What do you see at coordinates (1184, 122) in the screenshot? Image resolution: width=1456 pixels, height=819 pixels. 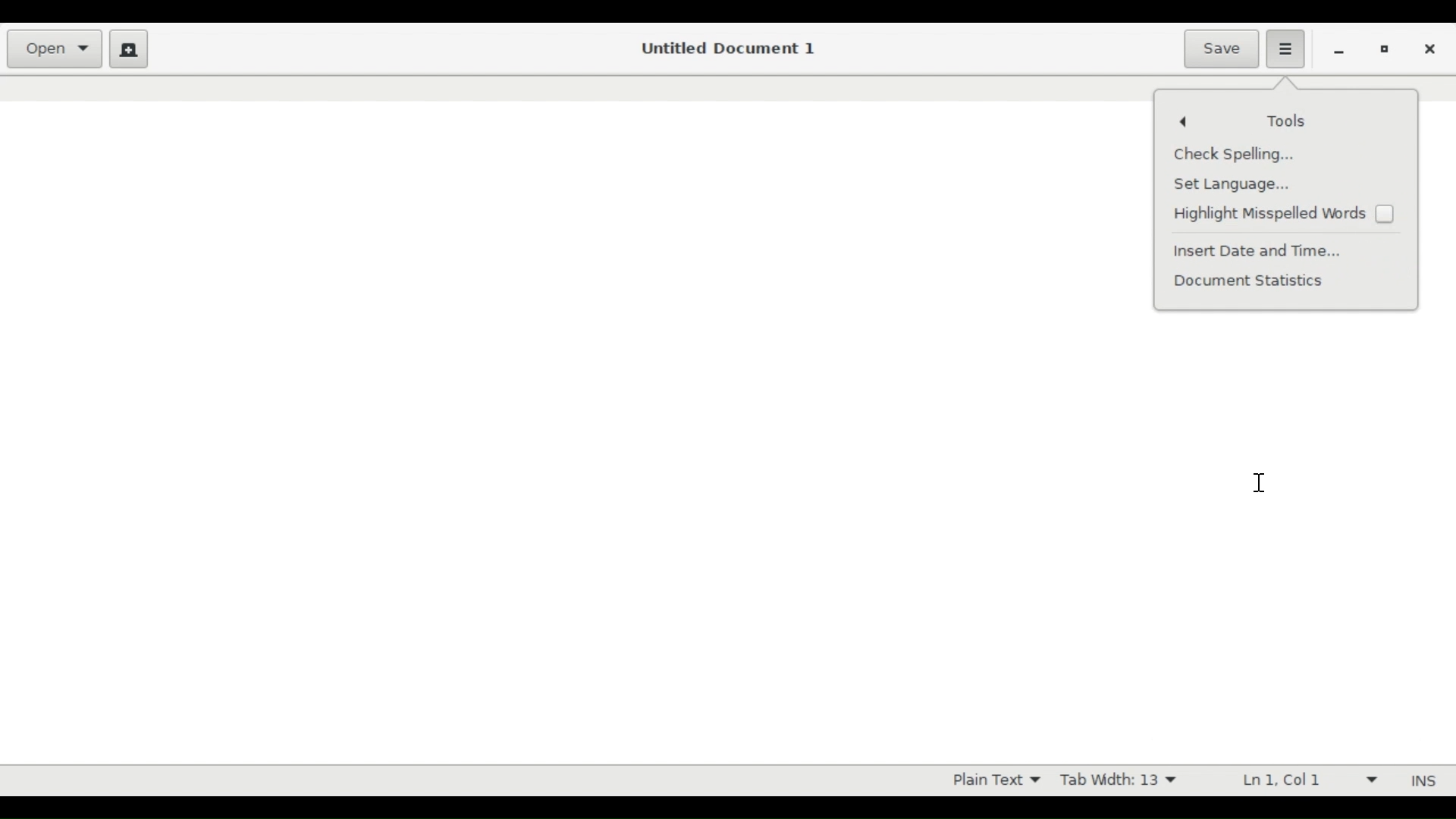 I see `Go back` at bounding box center [1184, 122].